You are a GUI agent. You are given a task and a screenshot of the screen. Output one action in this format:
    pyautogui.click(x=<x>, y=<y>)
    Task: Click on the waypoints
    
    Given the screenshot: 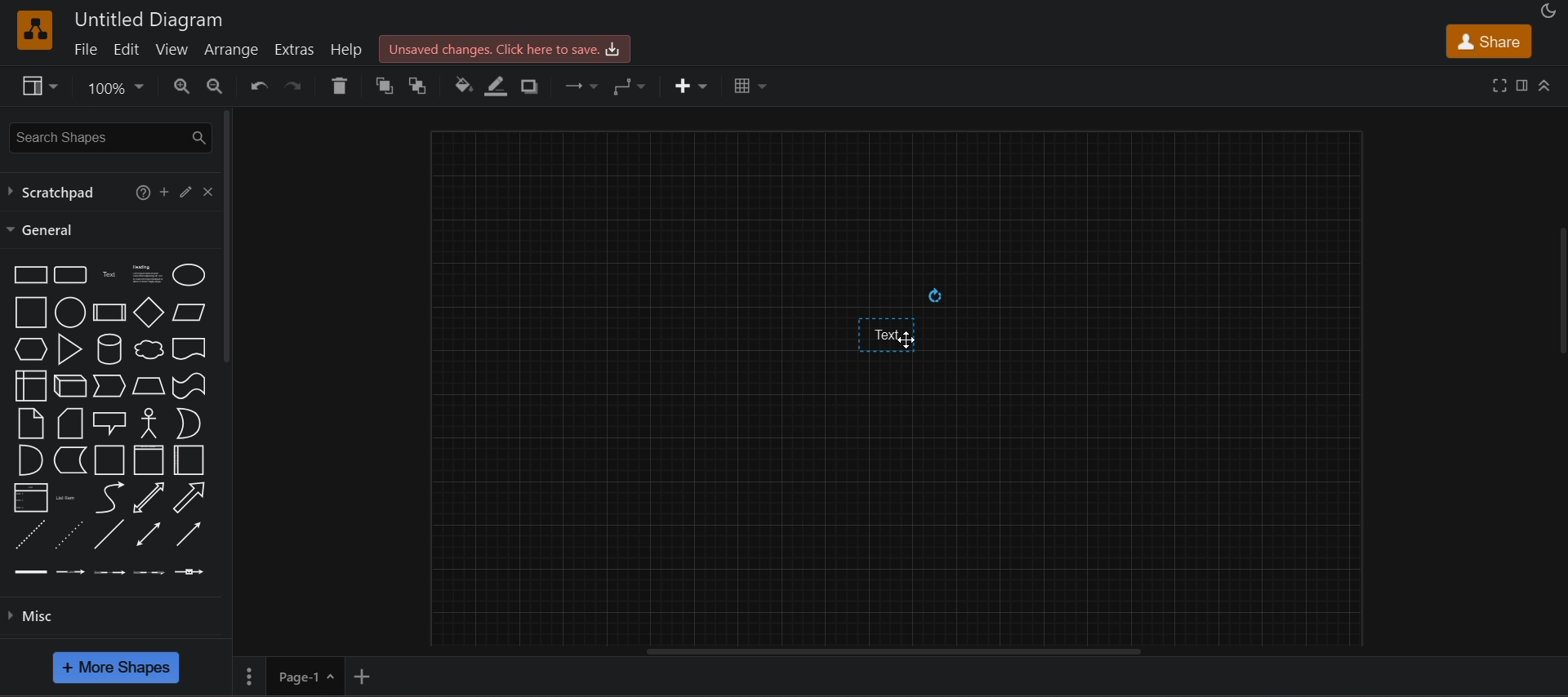 What is the action you would take?
    pyautogui.click(x=632, y=86)
    